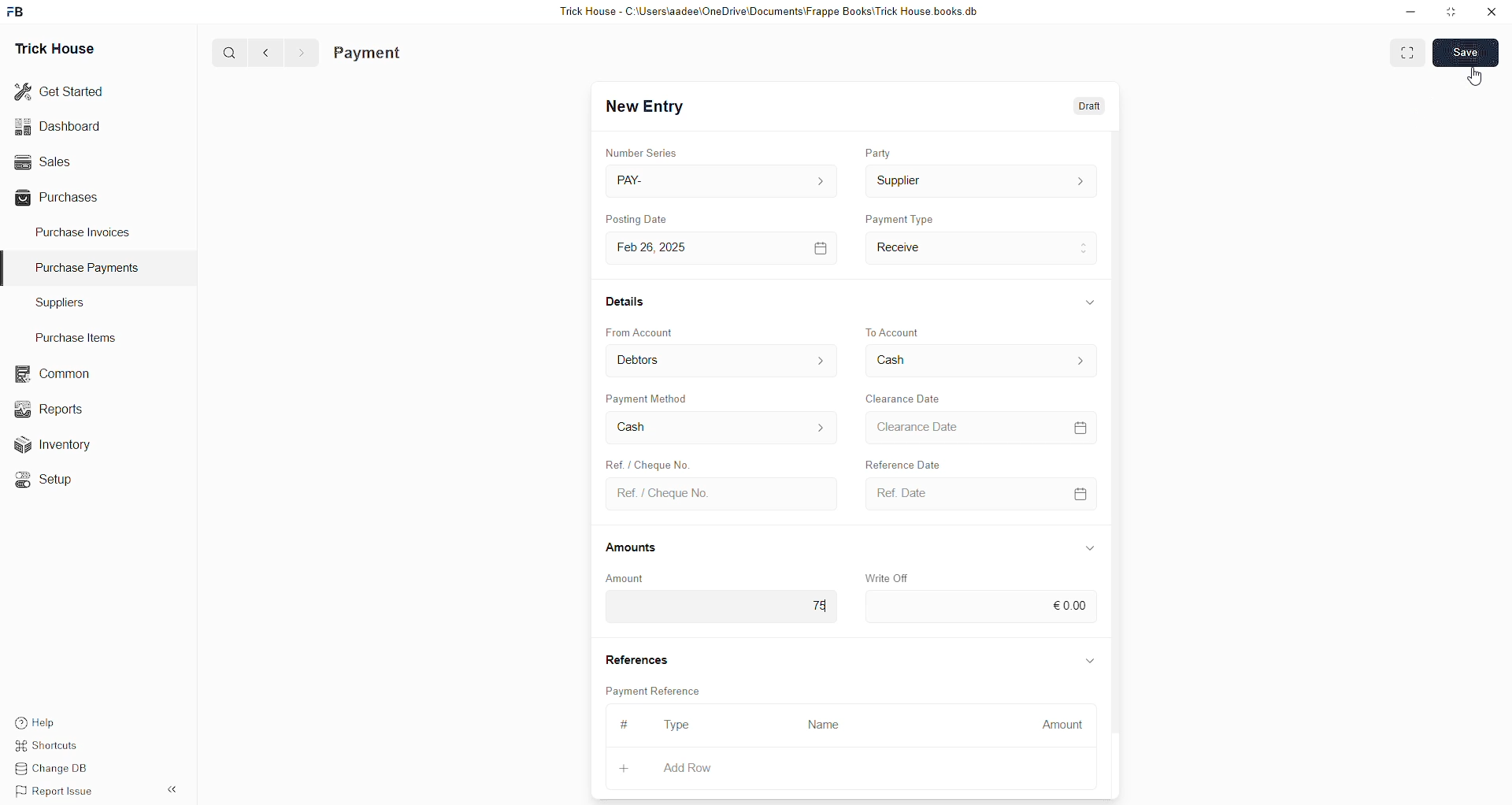 This screenshot has width=1512, height=805. What do you see at coordinates (625, 302) in the screenshot?
I see `Details` at bounding box center [625, 302].